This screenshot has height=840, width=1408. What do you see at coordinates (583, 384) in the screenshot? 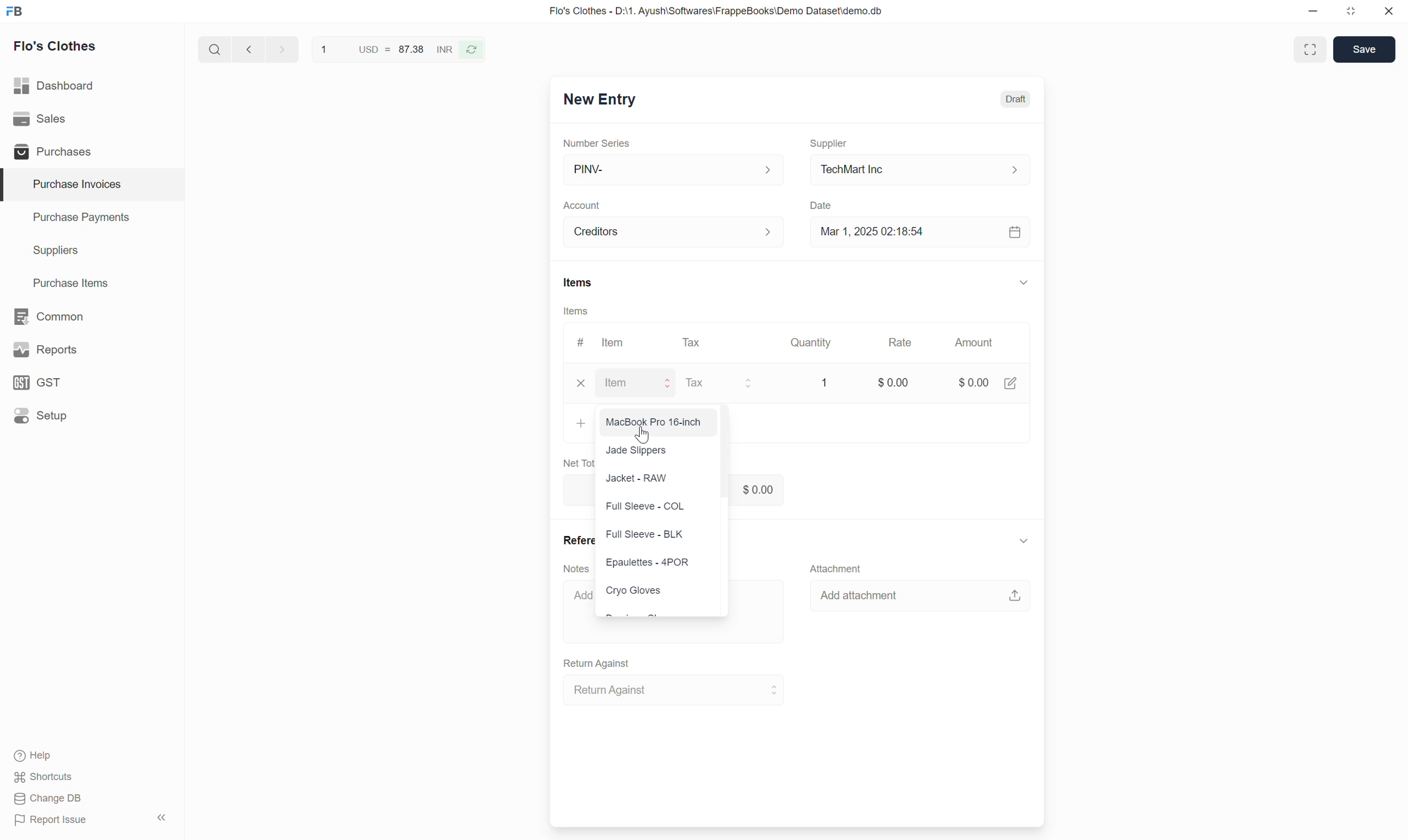
I see `clear/remove input` at bounding box center [583, 384].